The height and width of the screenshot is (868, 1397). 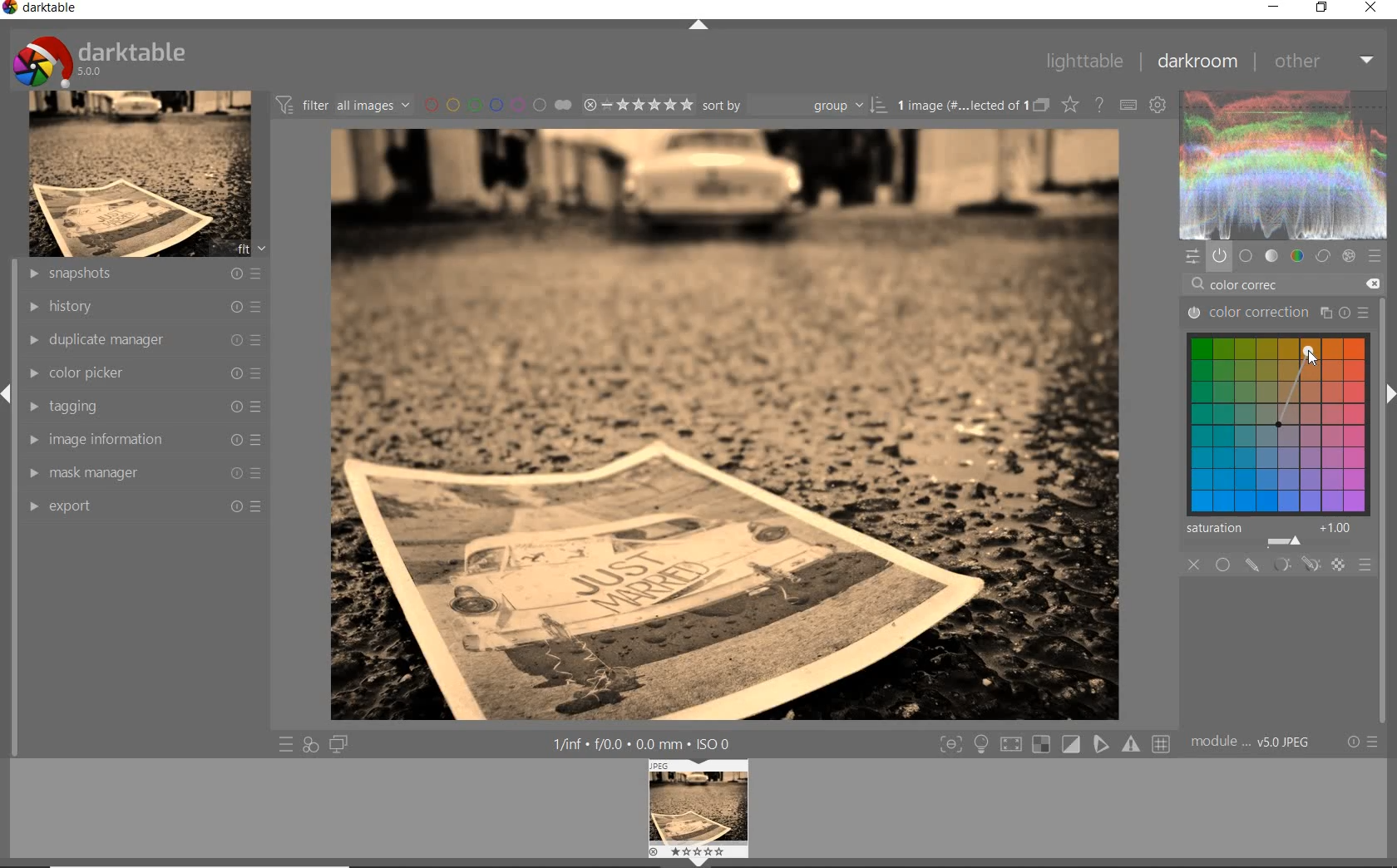 I want to click on tone, so click(x=1271, y=256).